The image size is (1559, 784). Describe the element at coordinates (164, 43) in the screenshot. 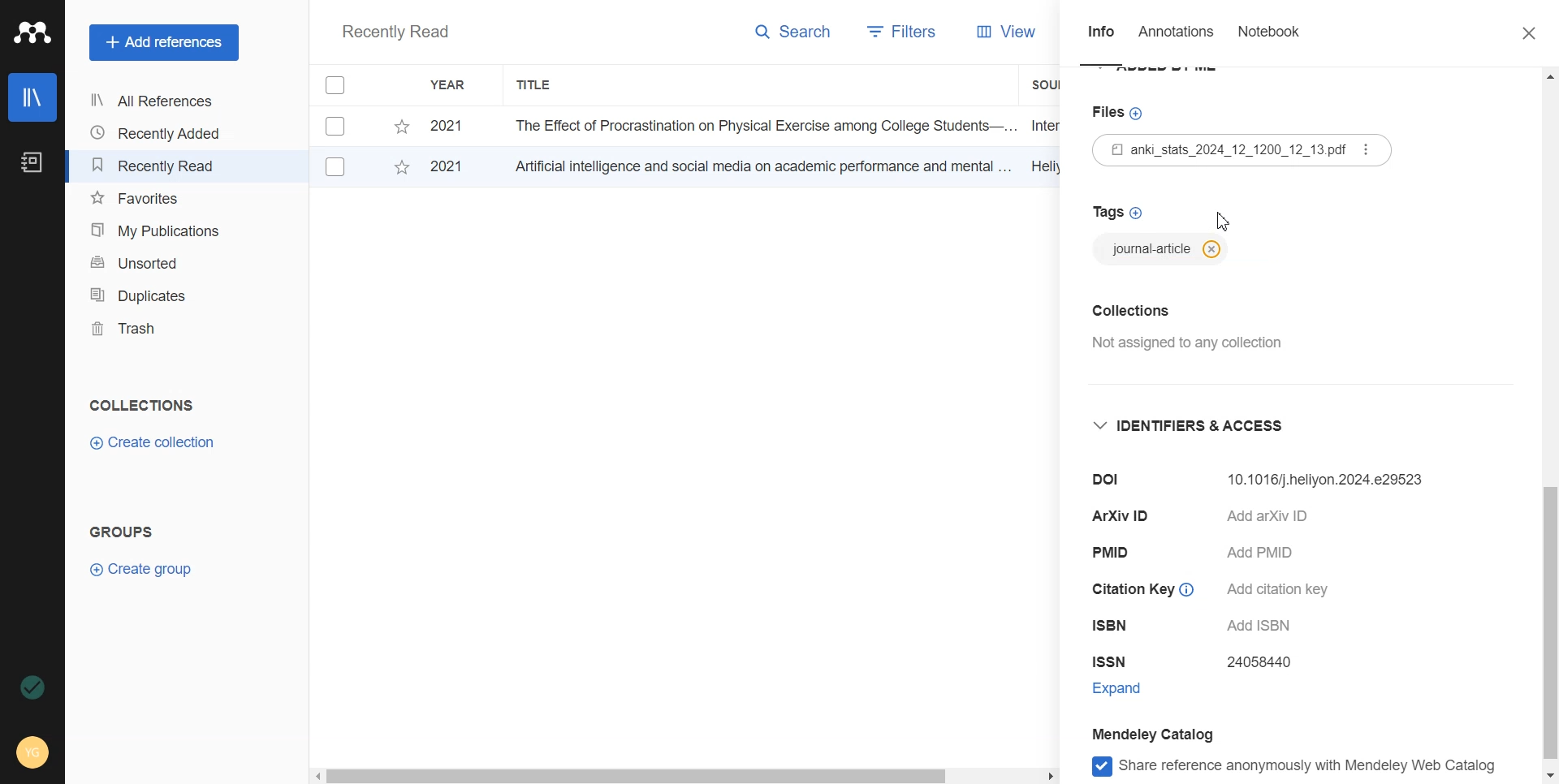

I see `Add references` at that location.